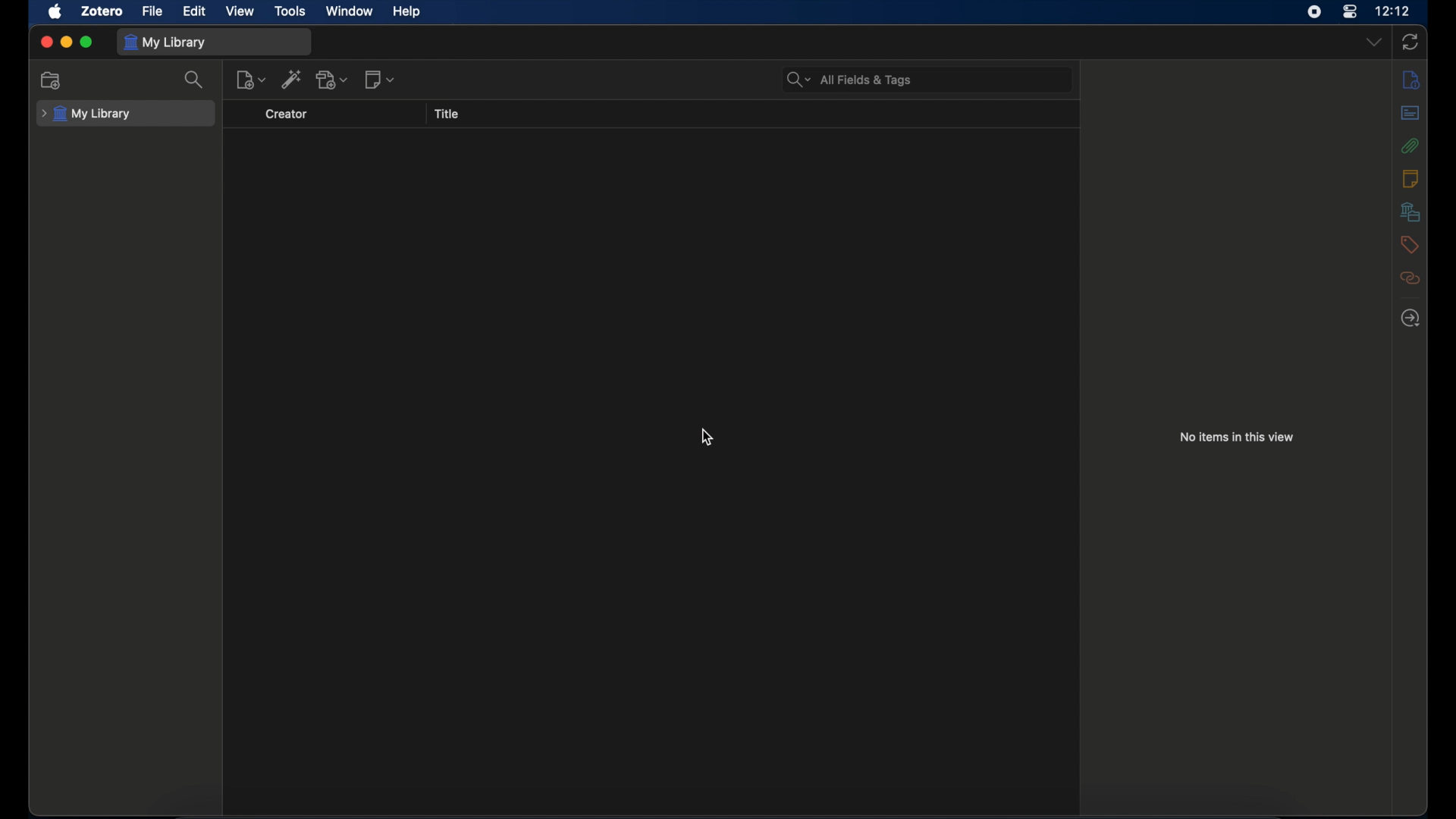  Describe the element at coordinates (167, 42) in the screenshot. I see `my library` at that location.